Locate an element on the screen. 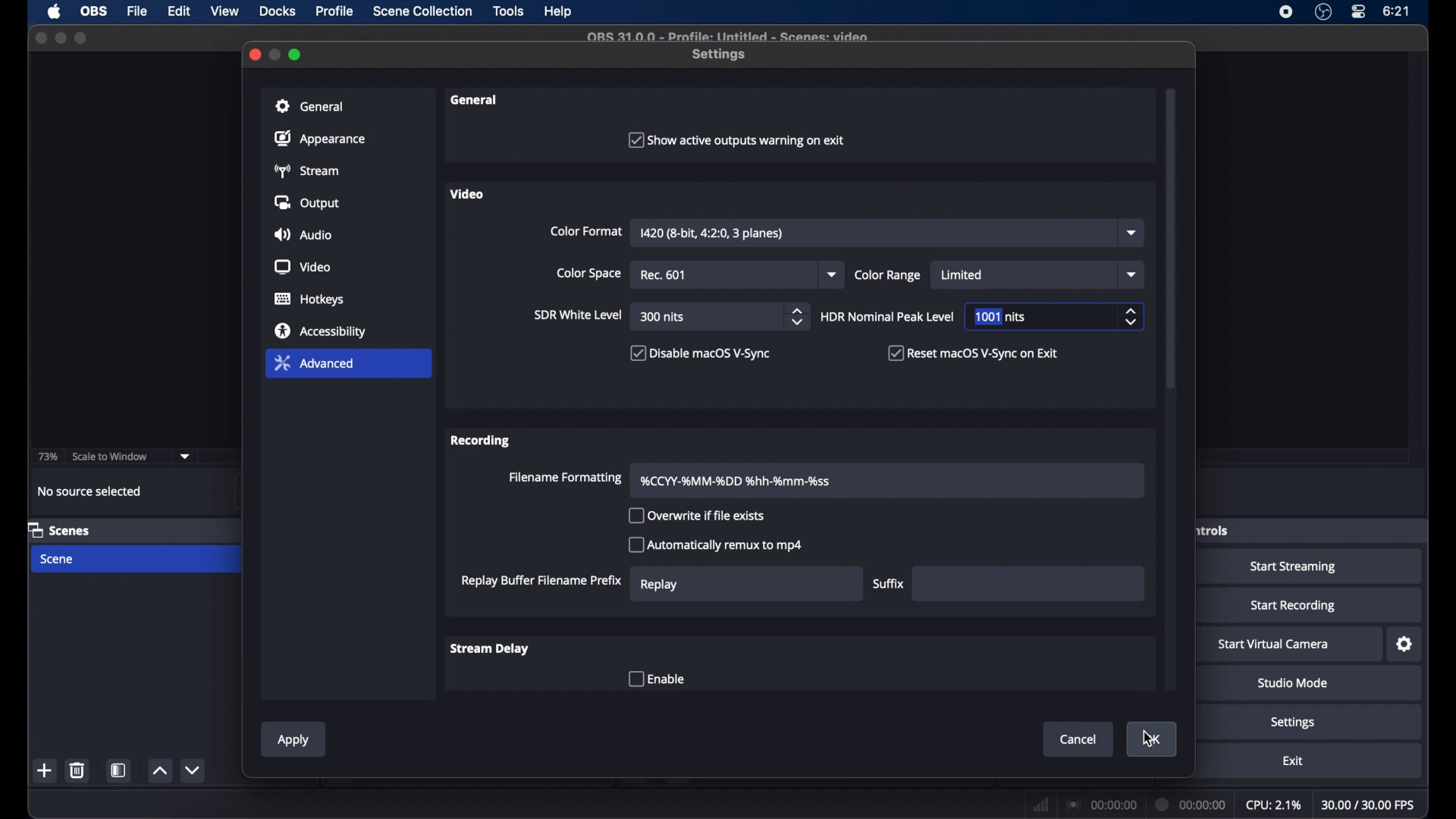 The width and height of the screenshot is (1456, 819). add is located at coordinates (45, 771).